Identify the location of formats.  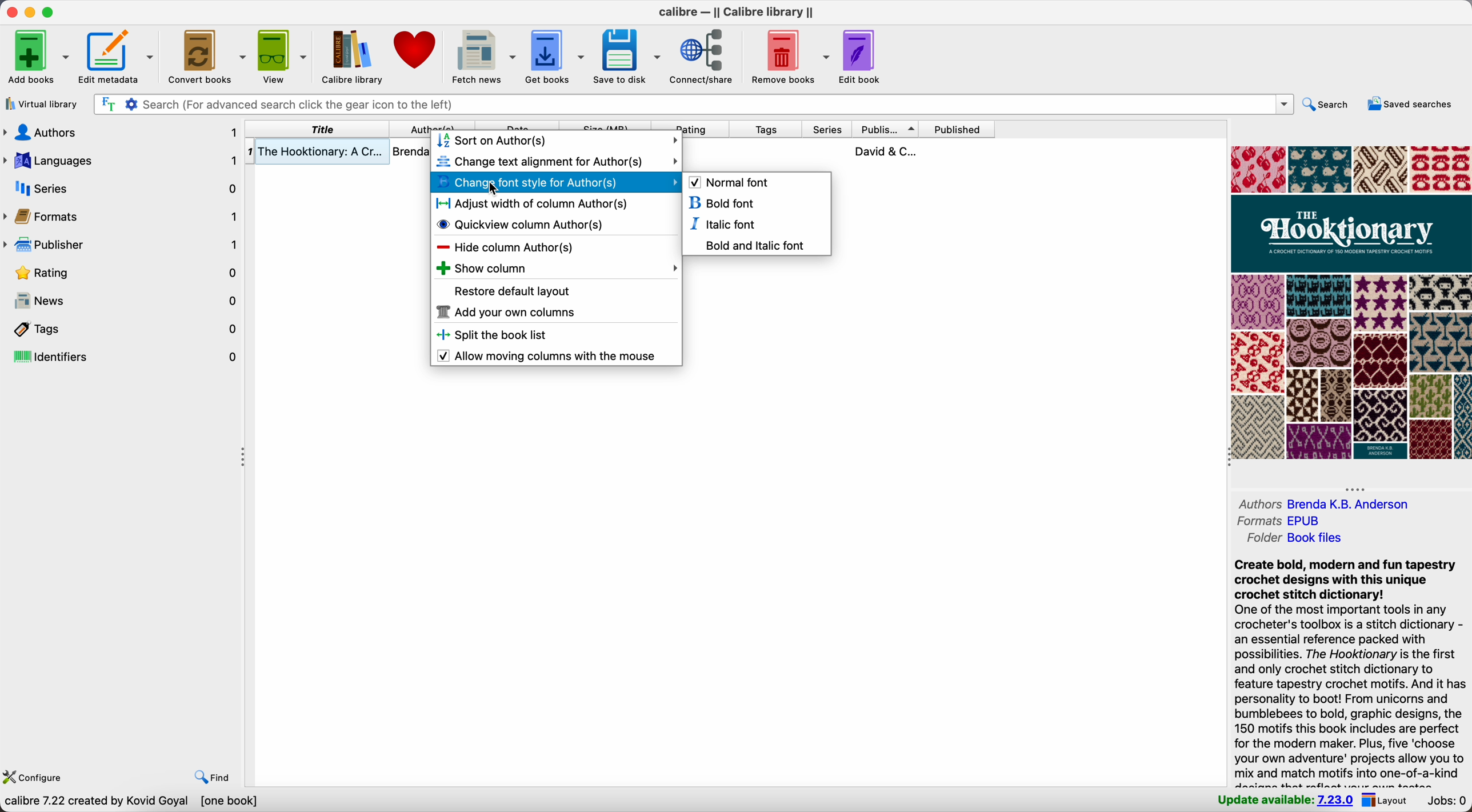
(1282, 520).